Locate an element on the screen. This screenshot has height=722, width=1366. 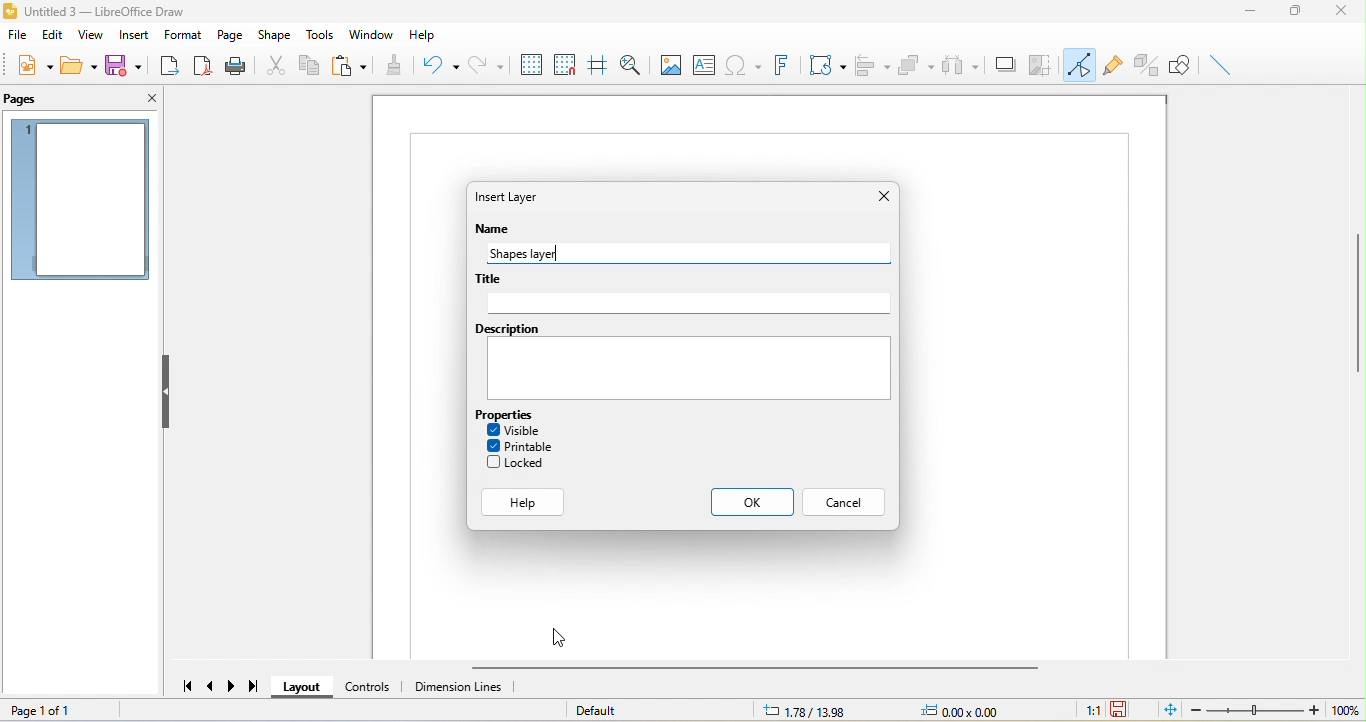
1.78/13.98 is located at coordinates (803, 710).